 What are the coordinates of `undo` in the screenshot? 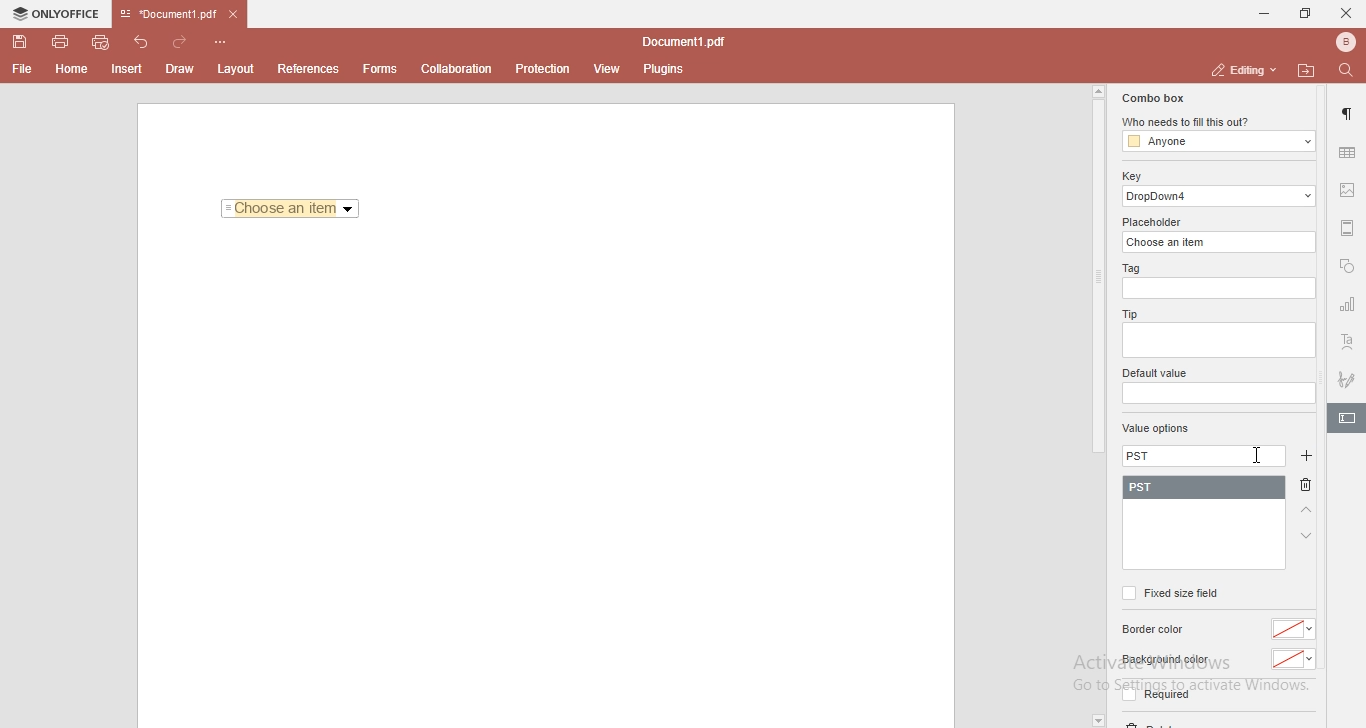 It's located at (144, 40).